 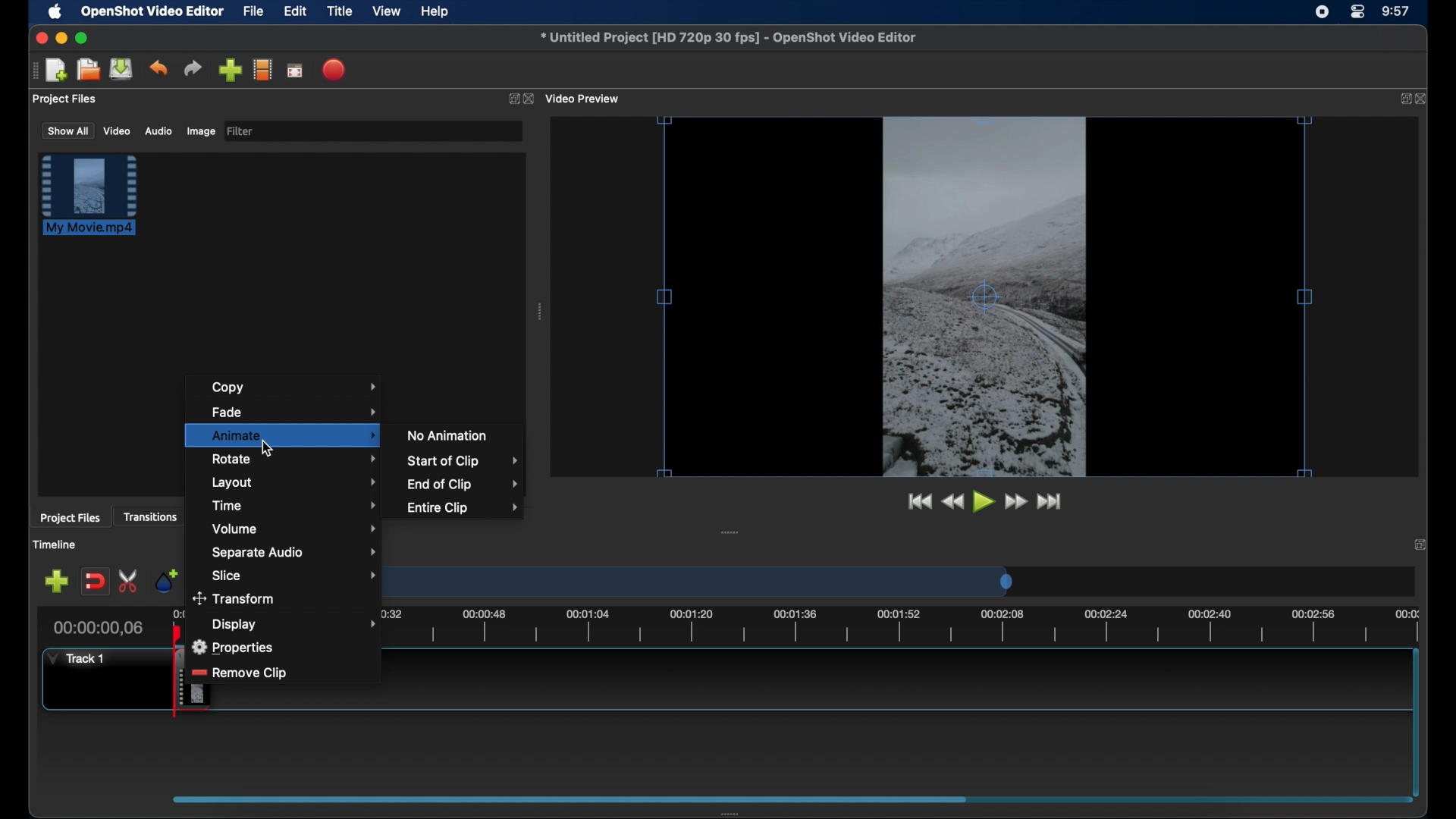 I want to click on remove clip, so click(x=253, y=672).